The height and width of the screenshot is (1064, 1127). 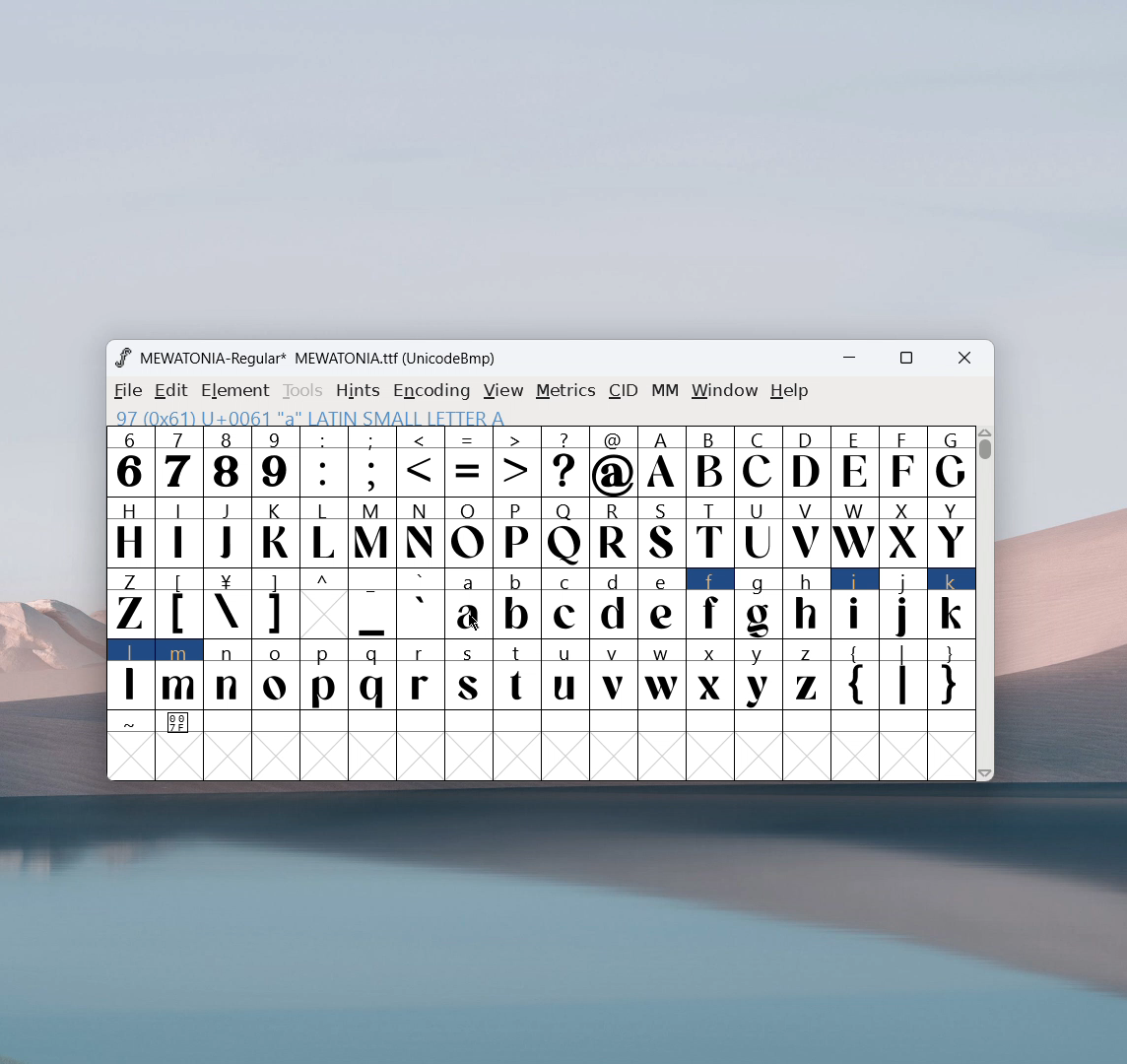 I want to click on I, so click(x=178, y=531).